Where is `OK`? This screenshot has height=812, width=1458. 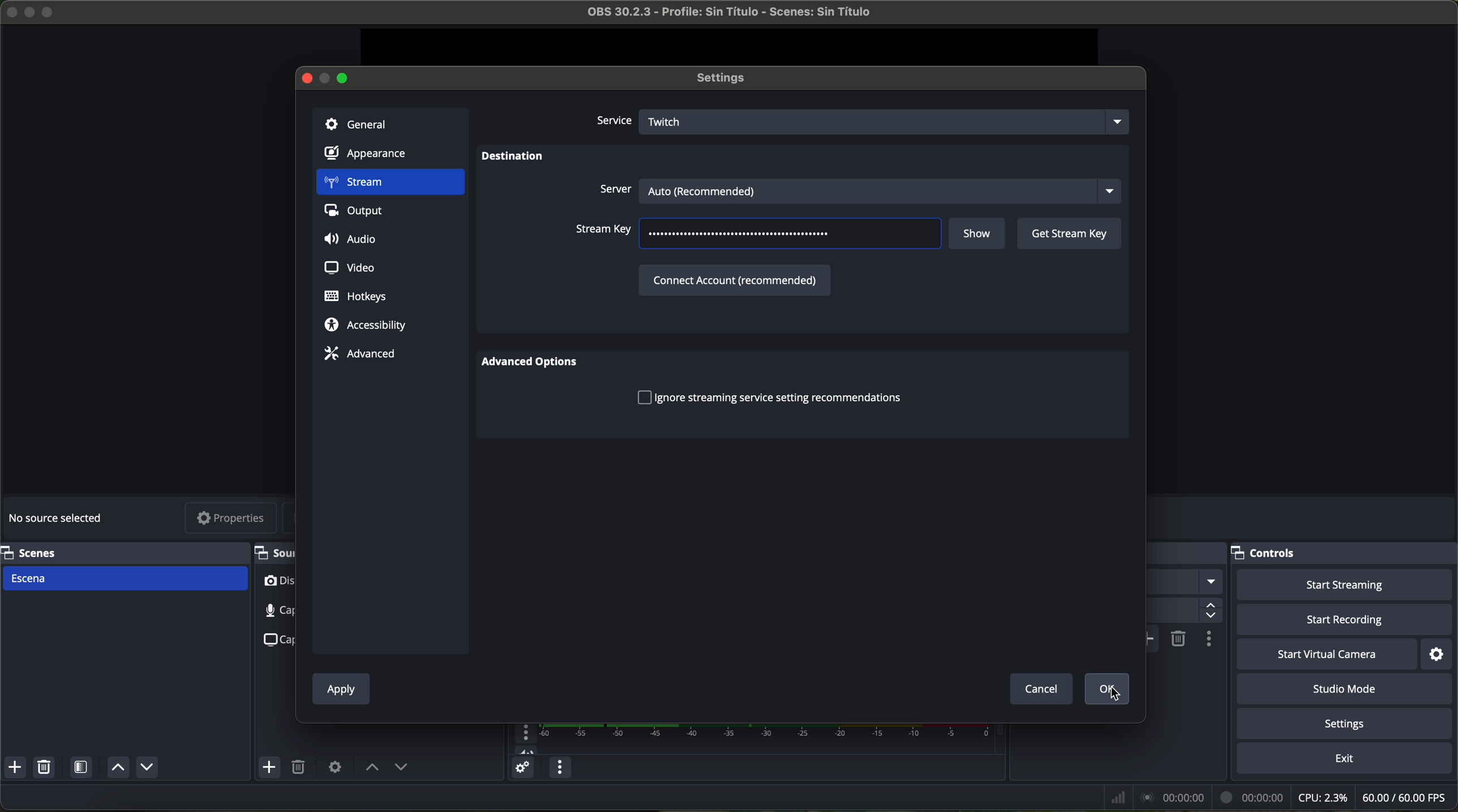 OK is located at coordinates (1104, 688).